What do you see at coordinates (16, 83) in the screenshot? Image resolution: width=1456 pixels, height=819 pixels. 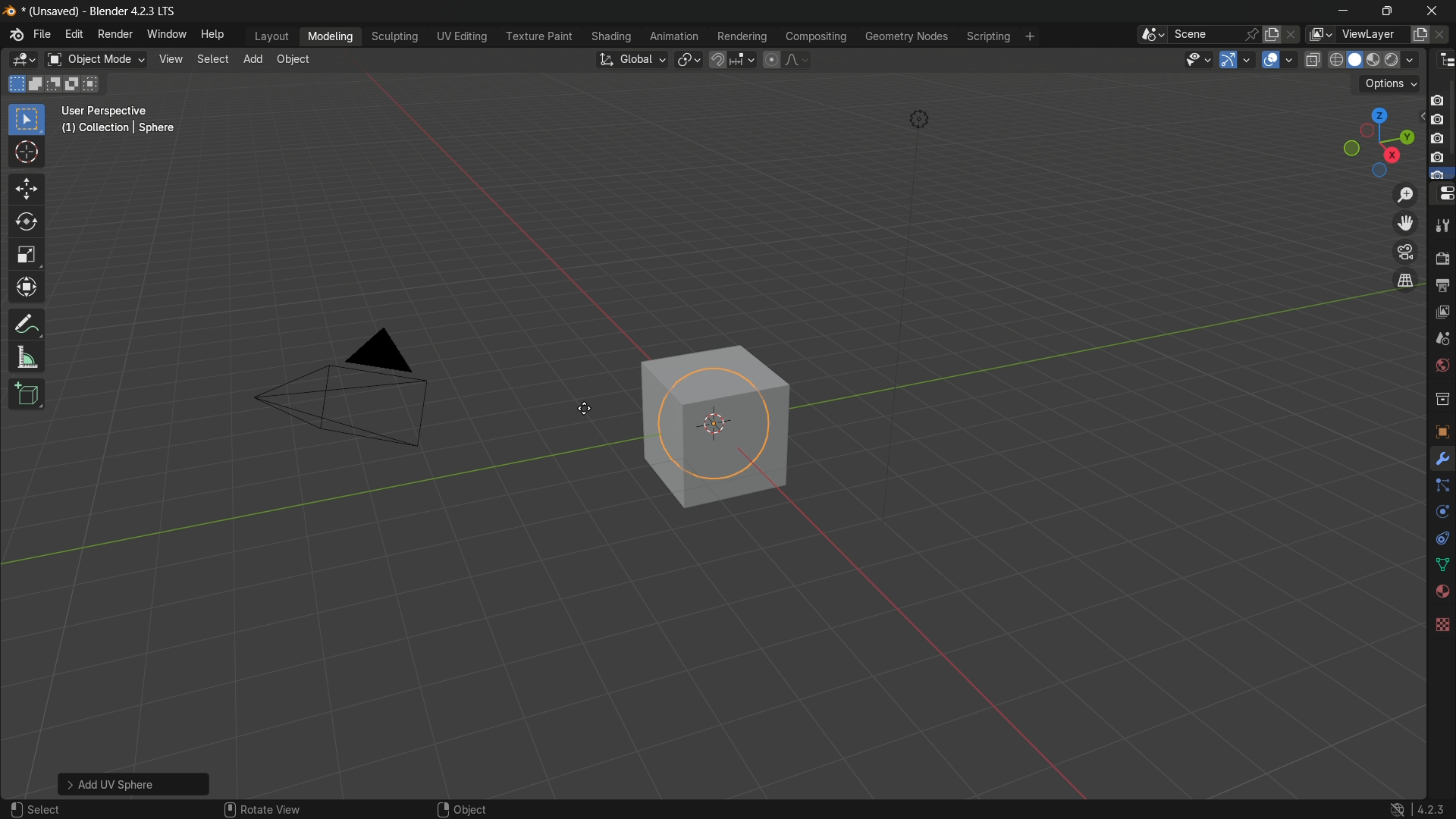 I see `select new selection` at bounding box center [16, 83].